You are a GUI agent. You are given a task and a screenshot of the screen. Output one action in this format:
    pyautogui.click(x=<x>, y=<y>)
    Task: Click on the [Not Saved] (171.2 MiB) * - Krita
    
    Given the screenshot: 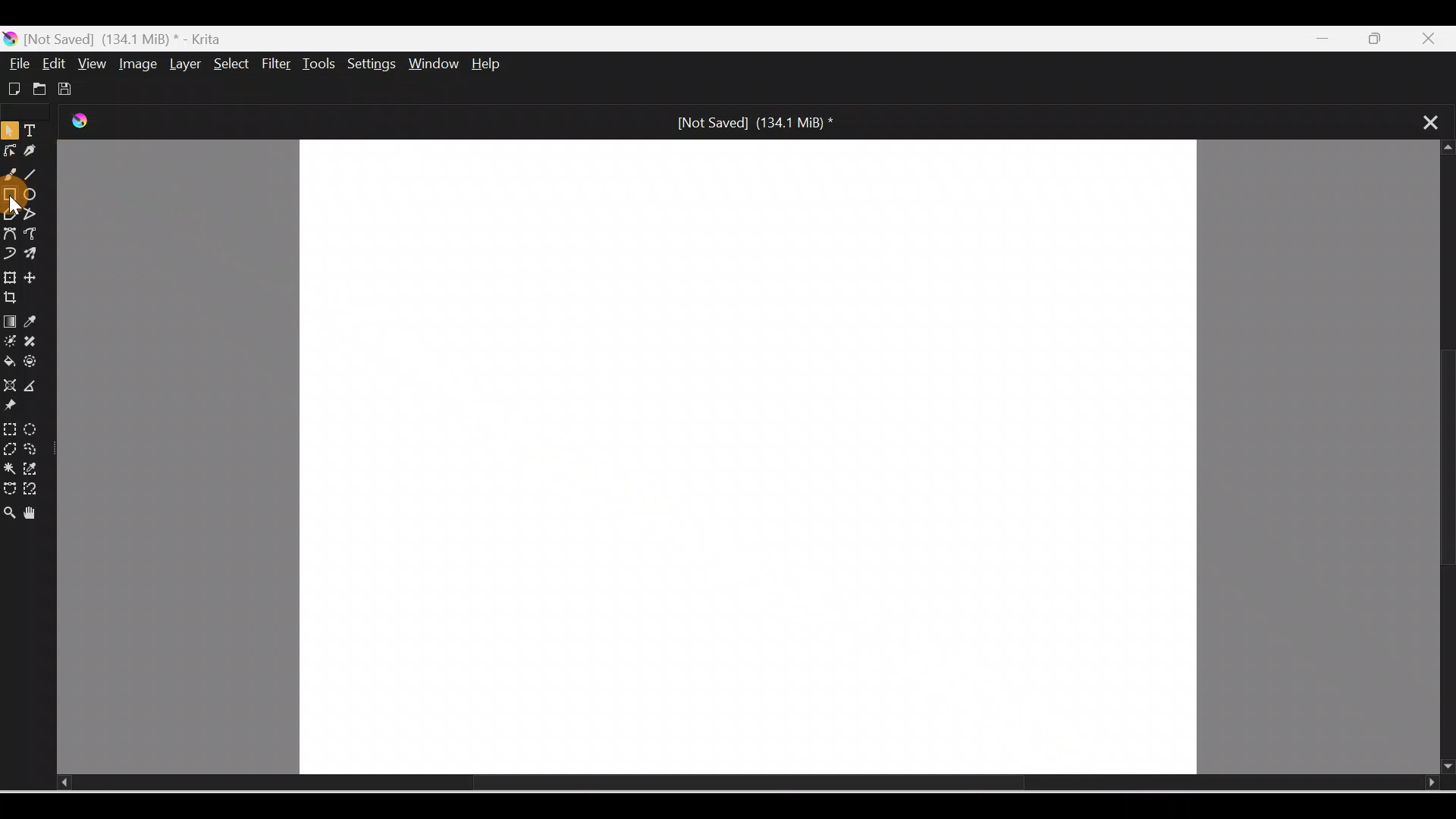 What is the action you would take?
    pyautogui.click(x=121, y=37)
    